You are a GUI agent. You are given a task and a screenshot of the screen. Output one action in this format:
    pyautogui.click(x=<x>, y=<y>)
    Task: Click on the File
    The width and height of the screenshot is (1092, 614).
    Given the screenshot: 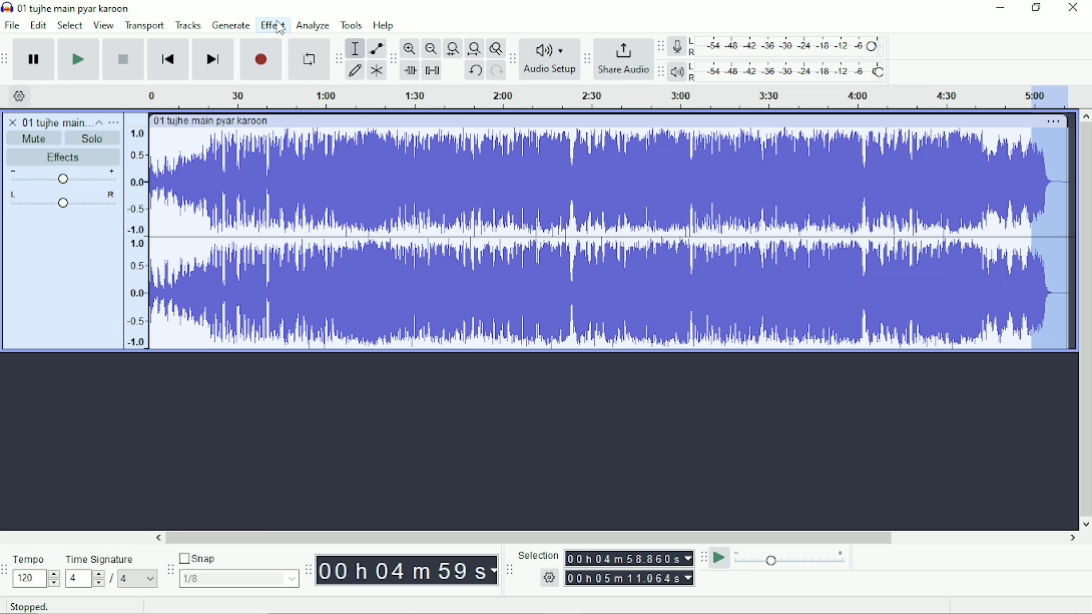 What is the action you would take?
    pyautogui.click(x=13, y=26)
    